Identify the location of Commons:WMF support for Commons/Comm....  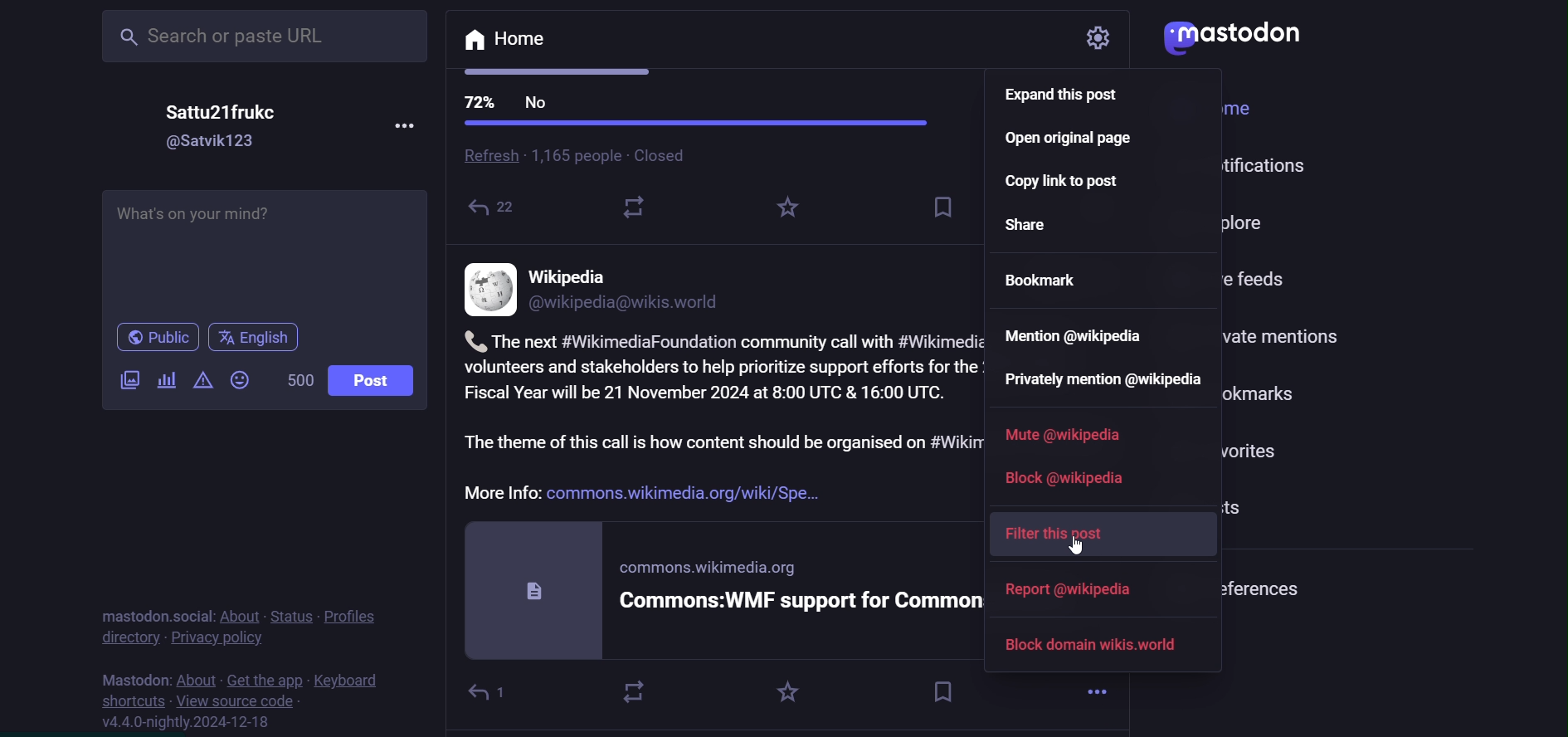
(801, 601).